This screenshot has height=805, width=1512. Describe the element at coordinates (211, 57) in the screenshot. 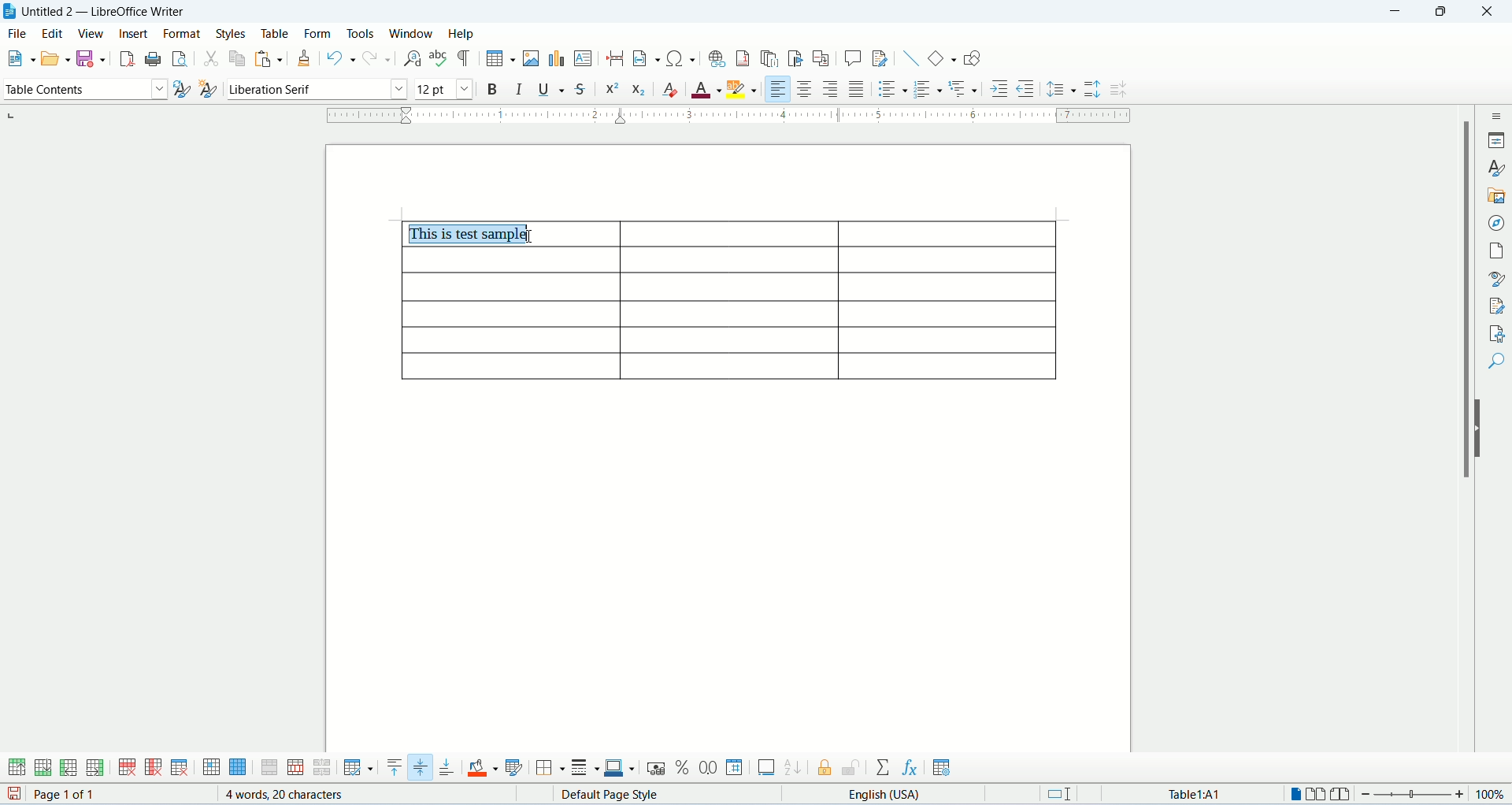

I see `cut` at that location.